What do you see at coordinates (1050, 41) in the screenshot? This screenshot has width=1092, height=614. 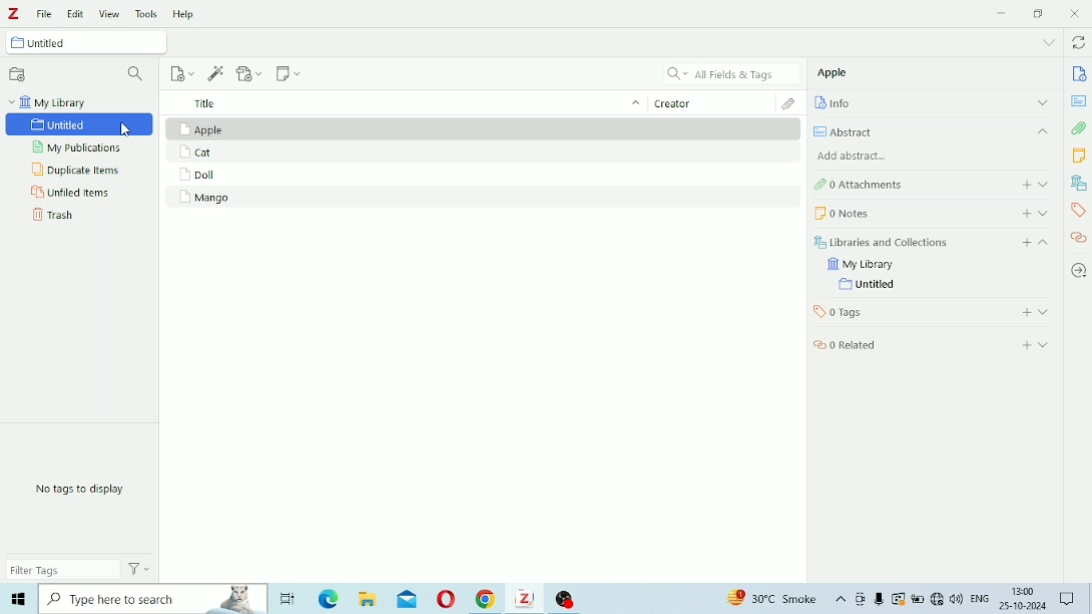 I see `List all tabs` at bounding box center [1050, 41].